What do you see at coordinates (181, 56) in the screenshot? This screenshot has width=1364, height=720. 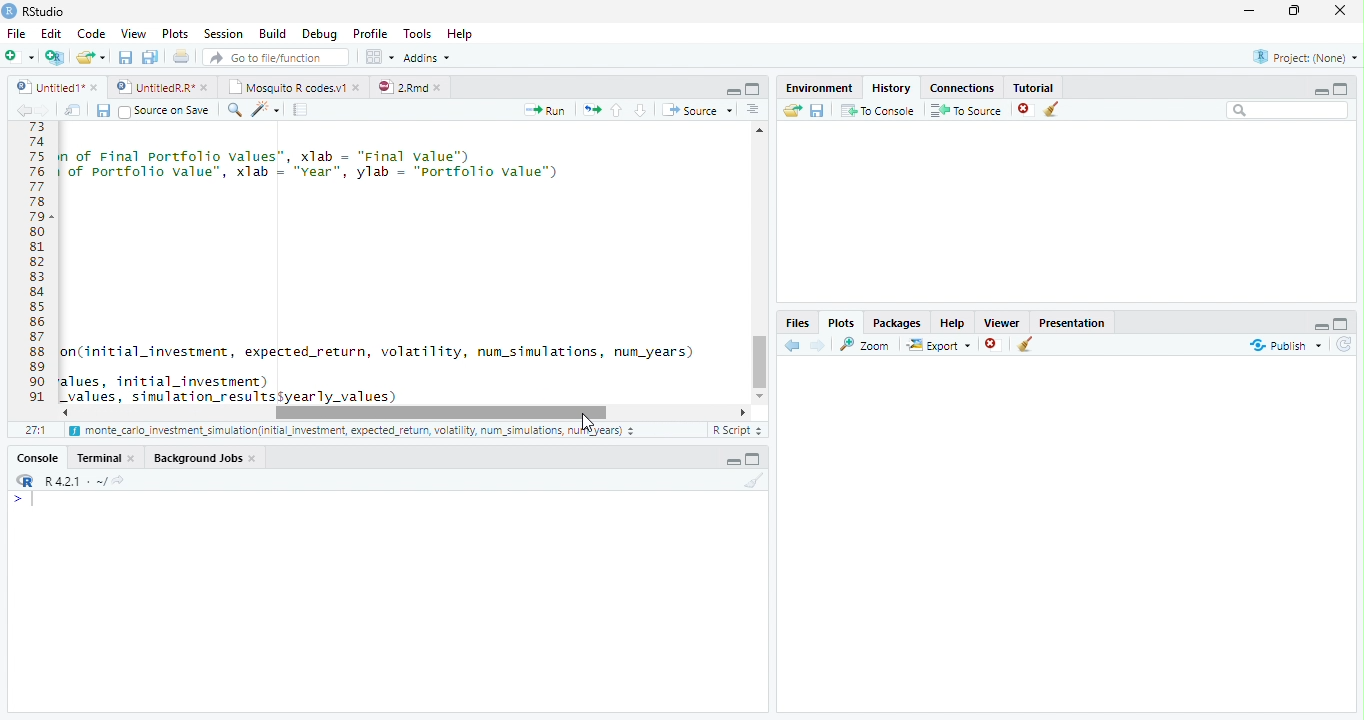 I see `Print` at bounding box center [181, 56].